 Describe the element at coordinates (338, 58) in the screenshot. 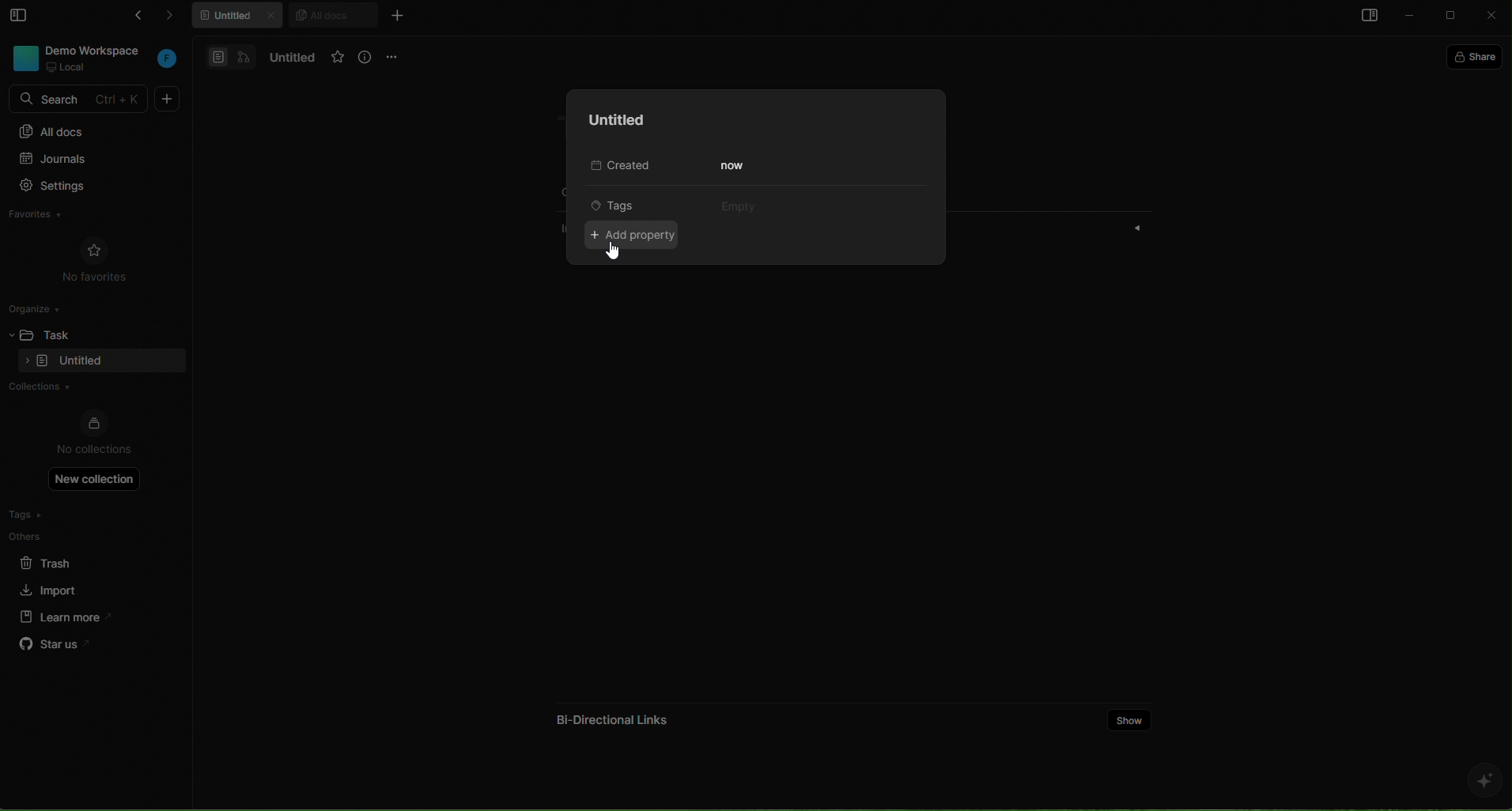

I see `favorites` at that location.